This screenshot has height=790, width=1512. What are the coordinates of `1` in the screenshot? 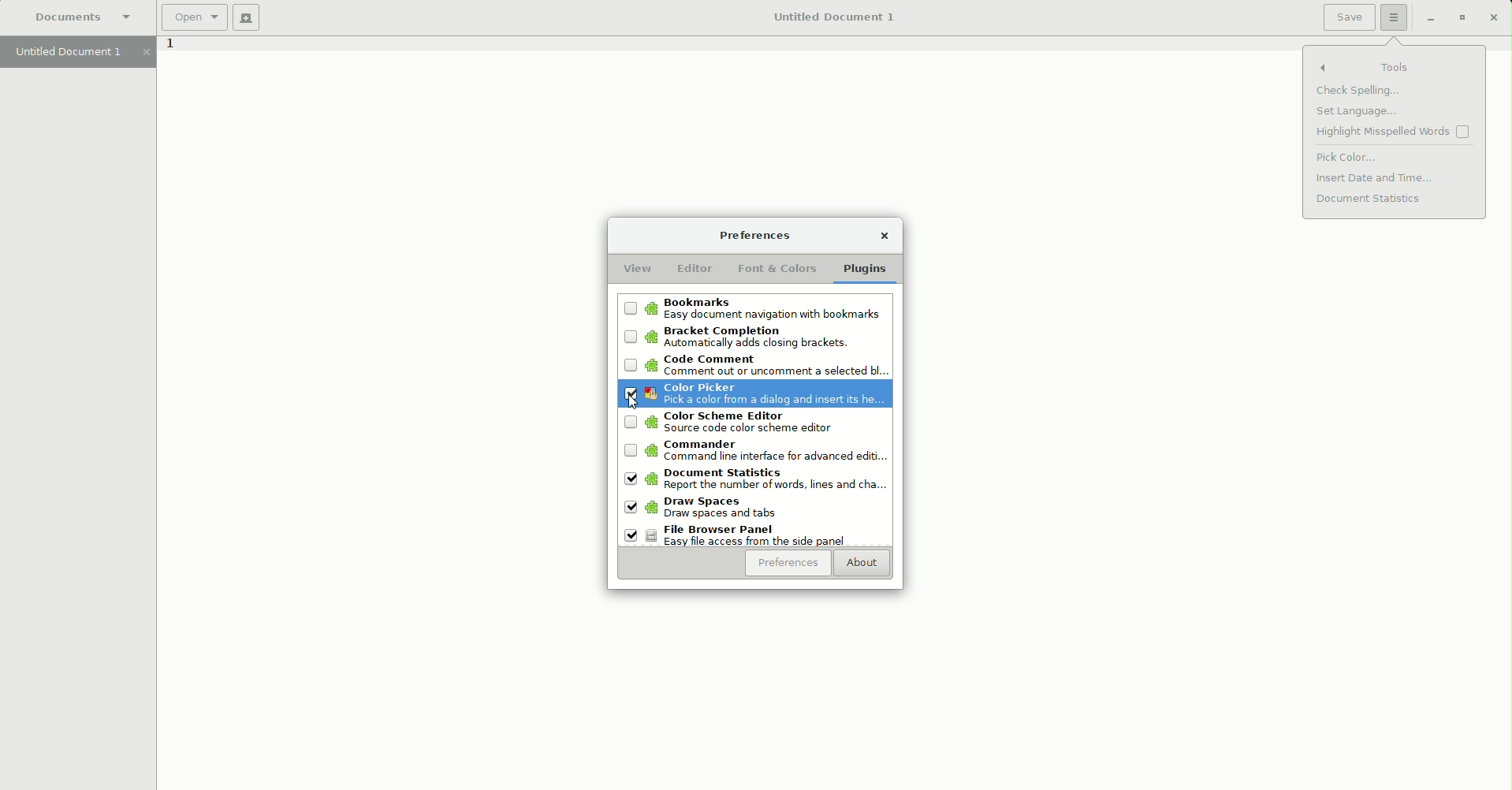 It's located at (169, 47).